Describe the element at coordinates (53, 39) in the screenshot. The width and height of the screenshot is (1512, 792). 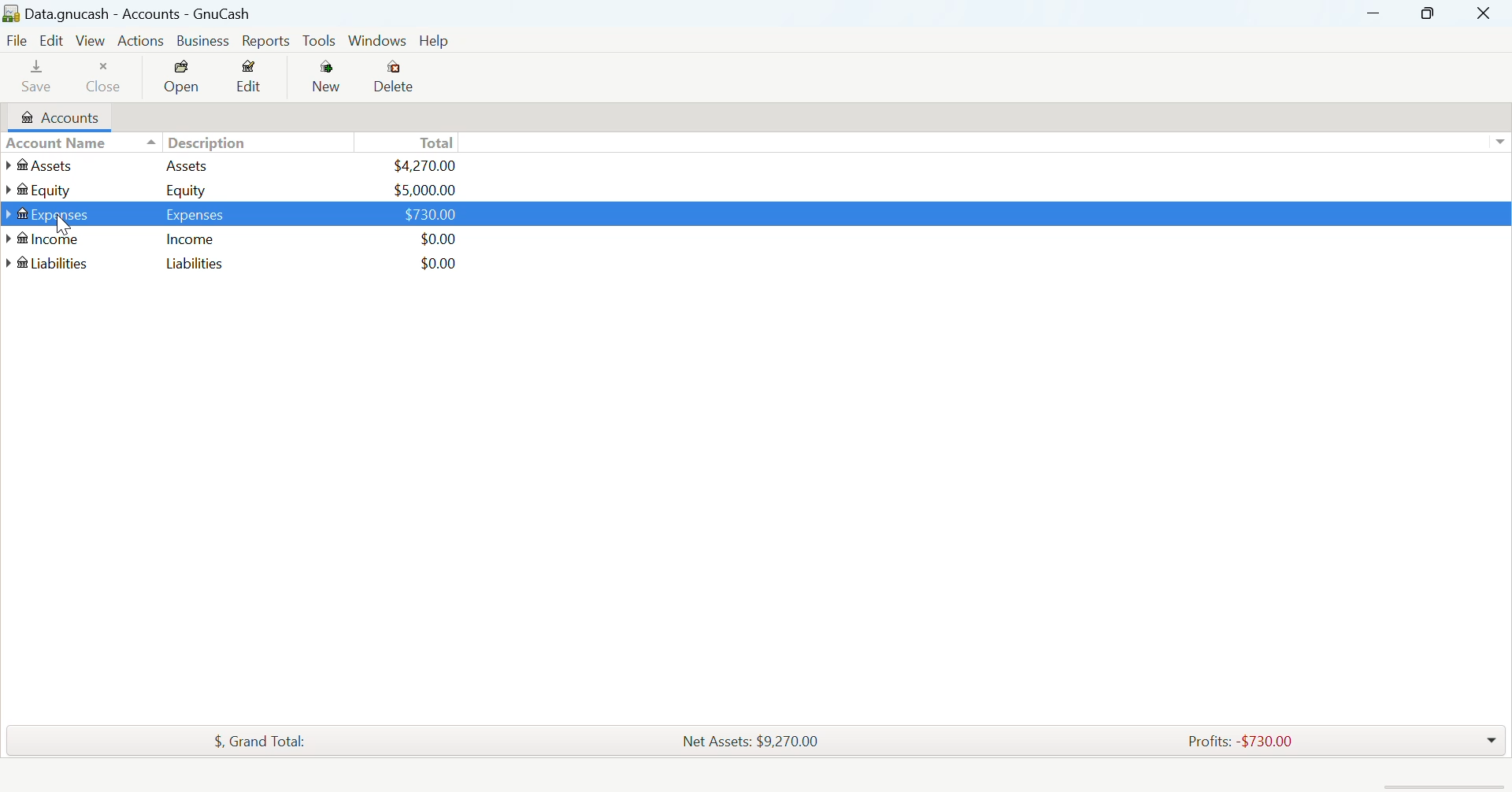
I see `Edit` at that location.